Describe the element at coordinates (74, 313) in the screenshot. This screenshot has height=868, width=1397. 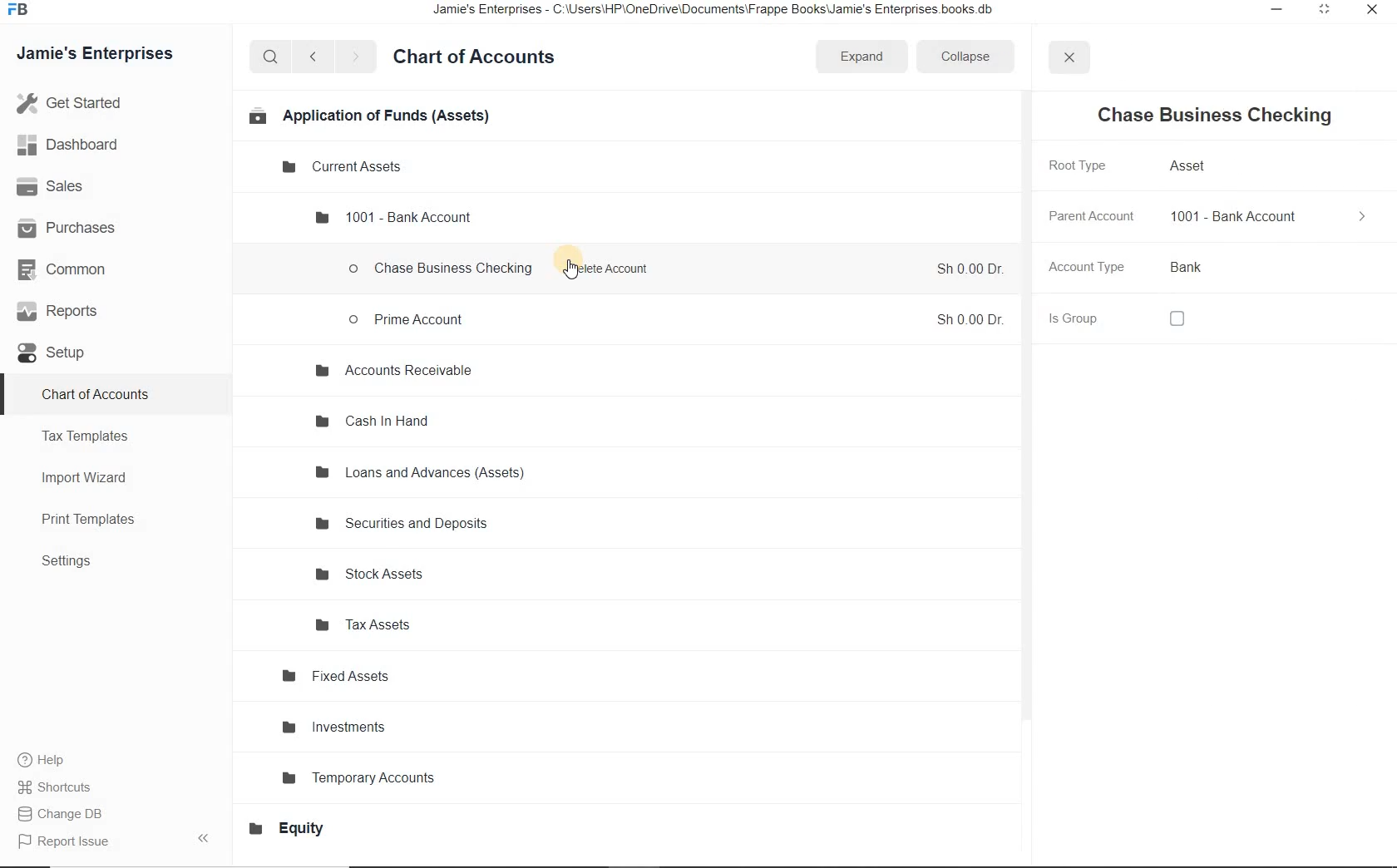
I see `Reports` at that location.